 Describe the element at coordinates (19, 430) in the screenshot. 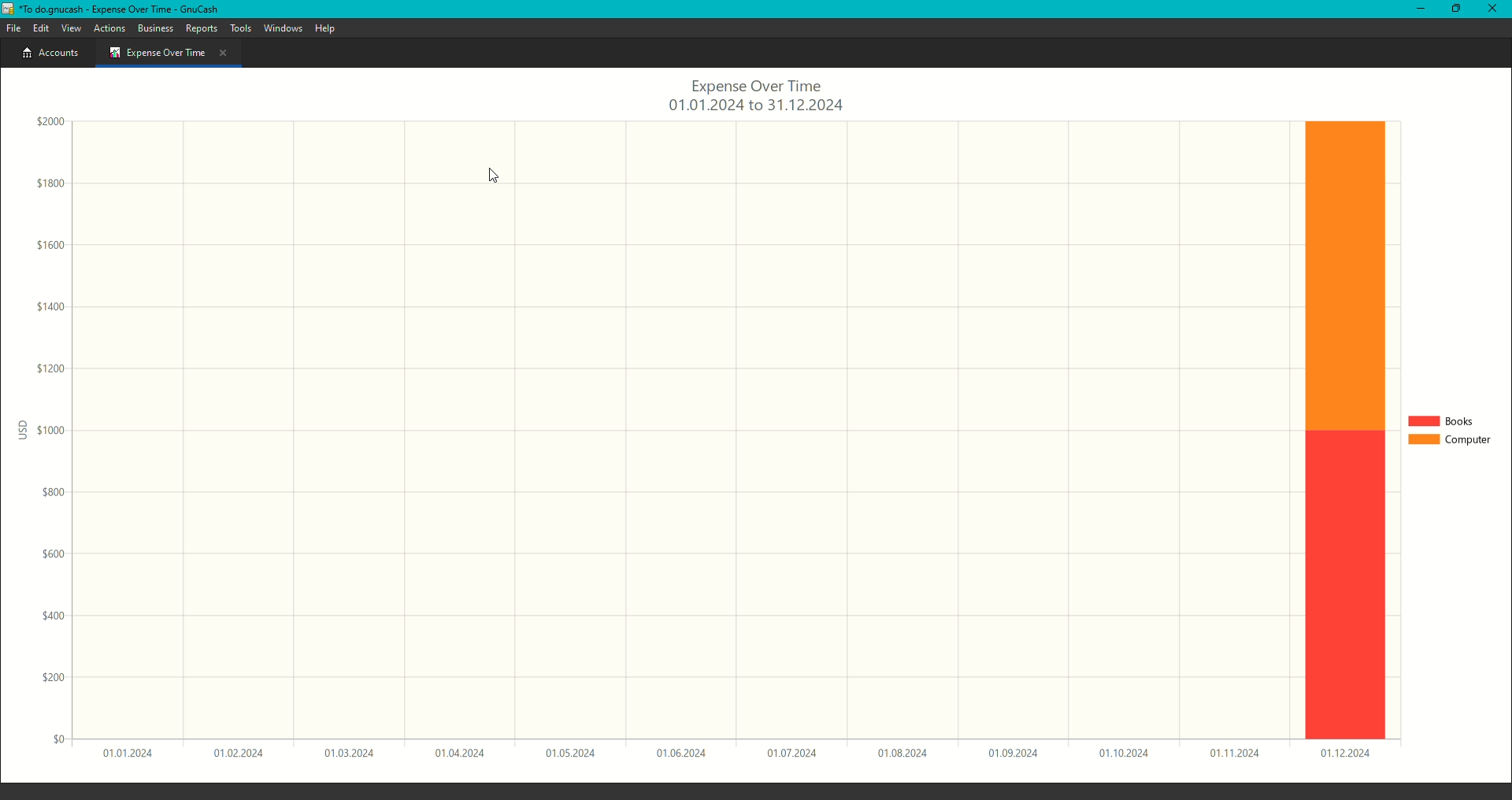

I see `USD` at that location.